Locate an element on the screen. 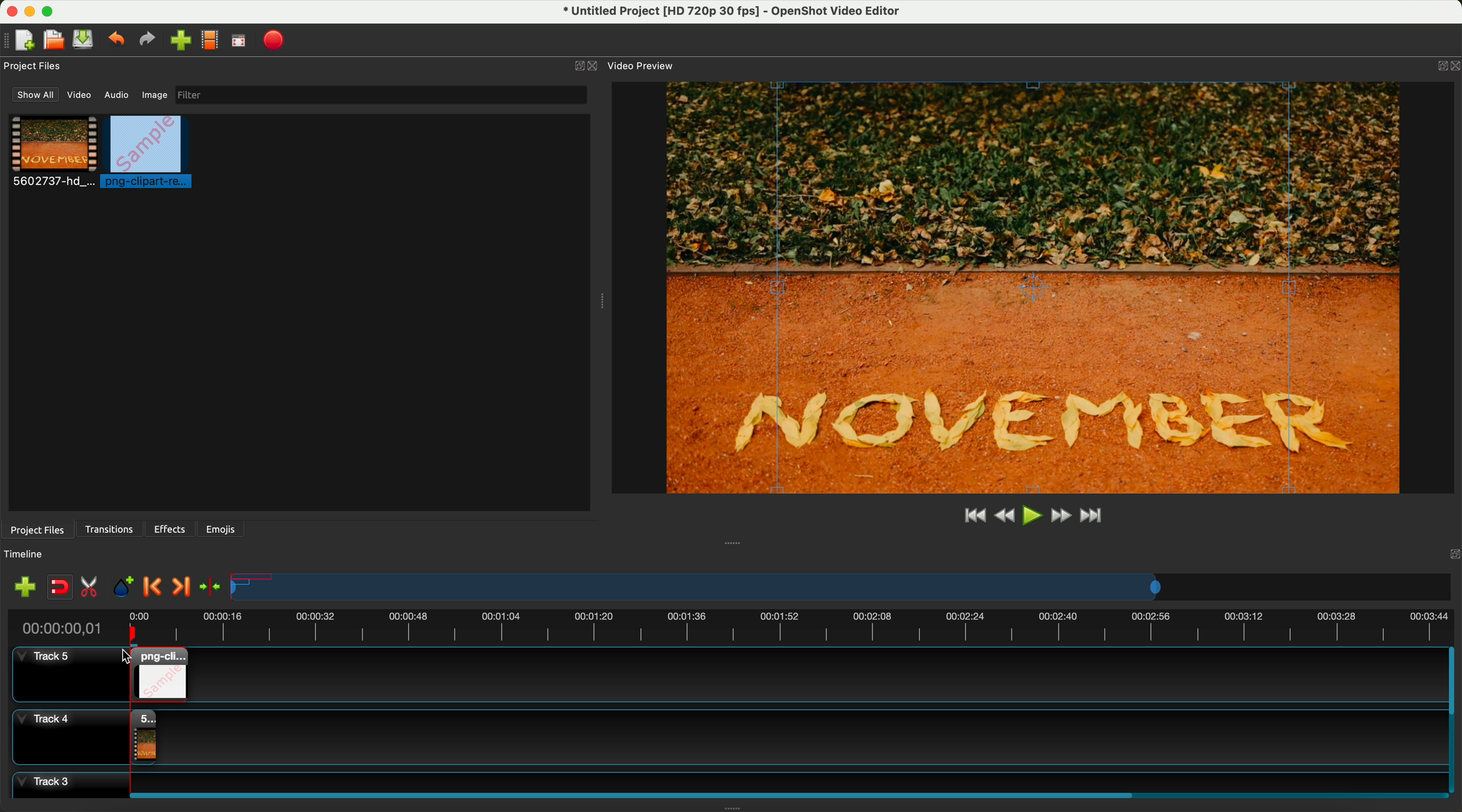 This screenshot has width=1462, height=812. image is located at coordinates (153, 96).